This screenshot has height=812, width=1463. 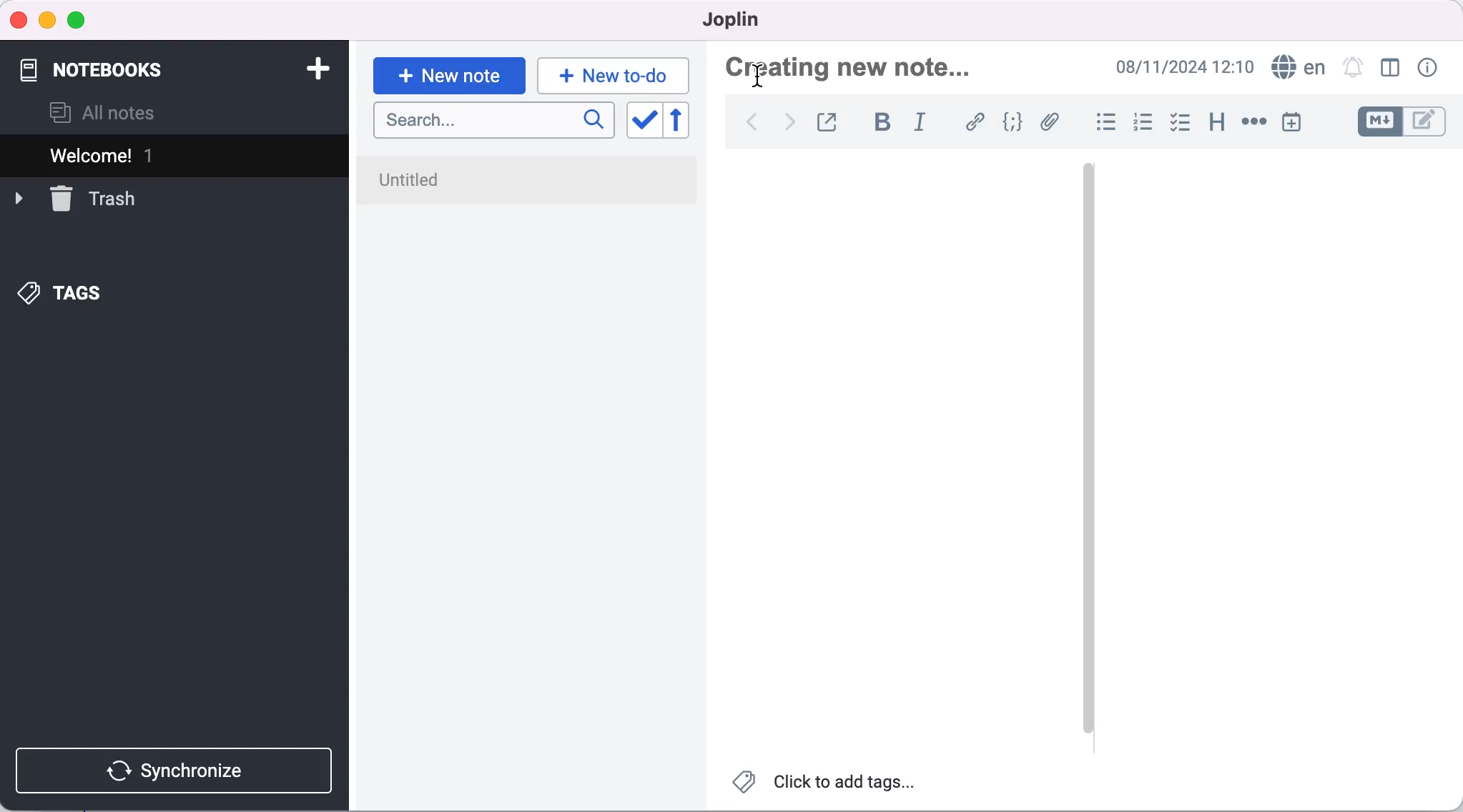 I want to click on maximize, so click(x=81, y=19).